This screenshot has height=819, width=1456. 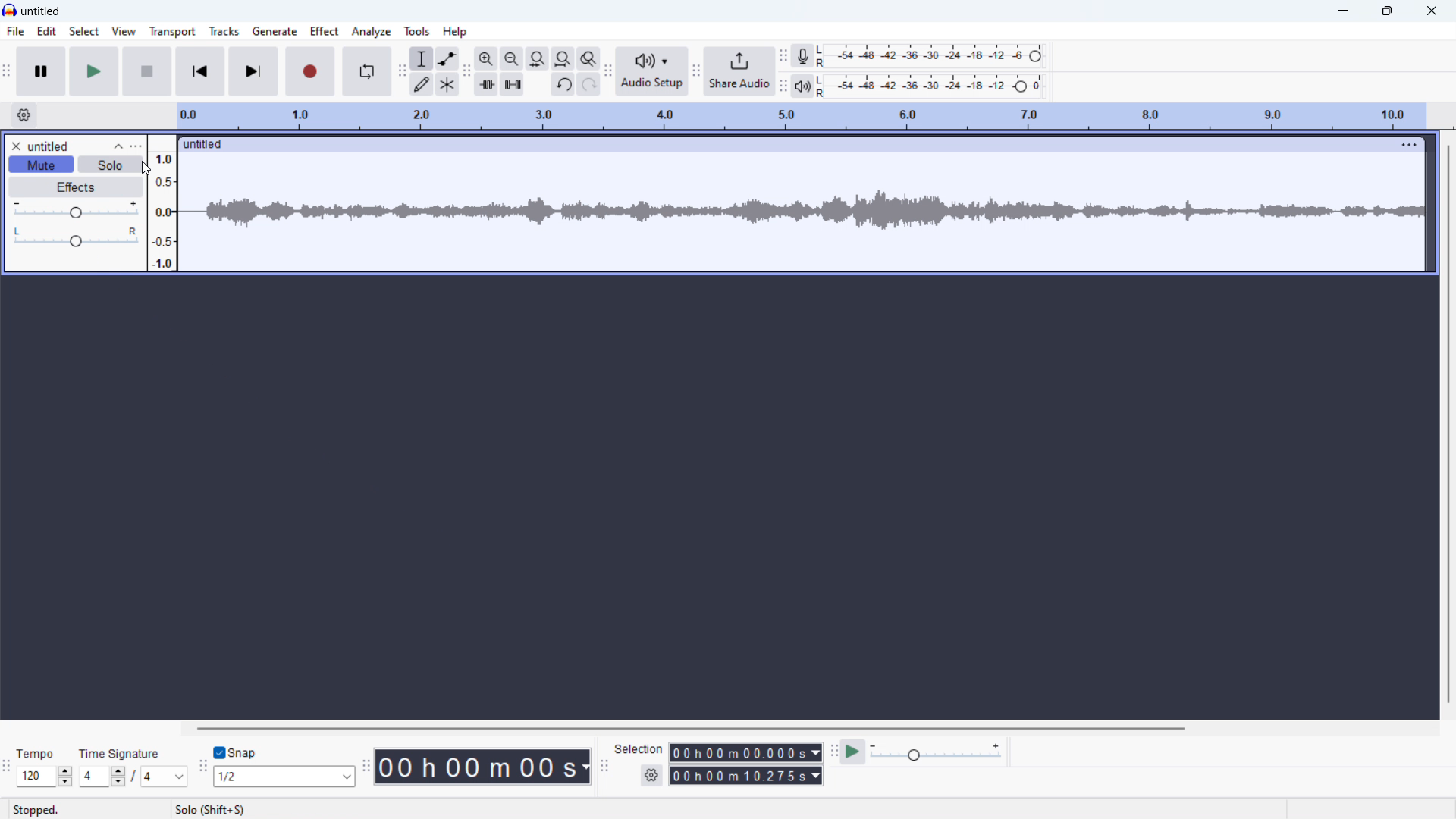 What do you see at coordinates (467, 72) in the screenshot?
I see `edit toolbar` at bounding box center [467, 72].